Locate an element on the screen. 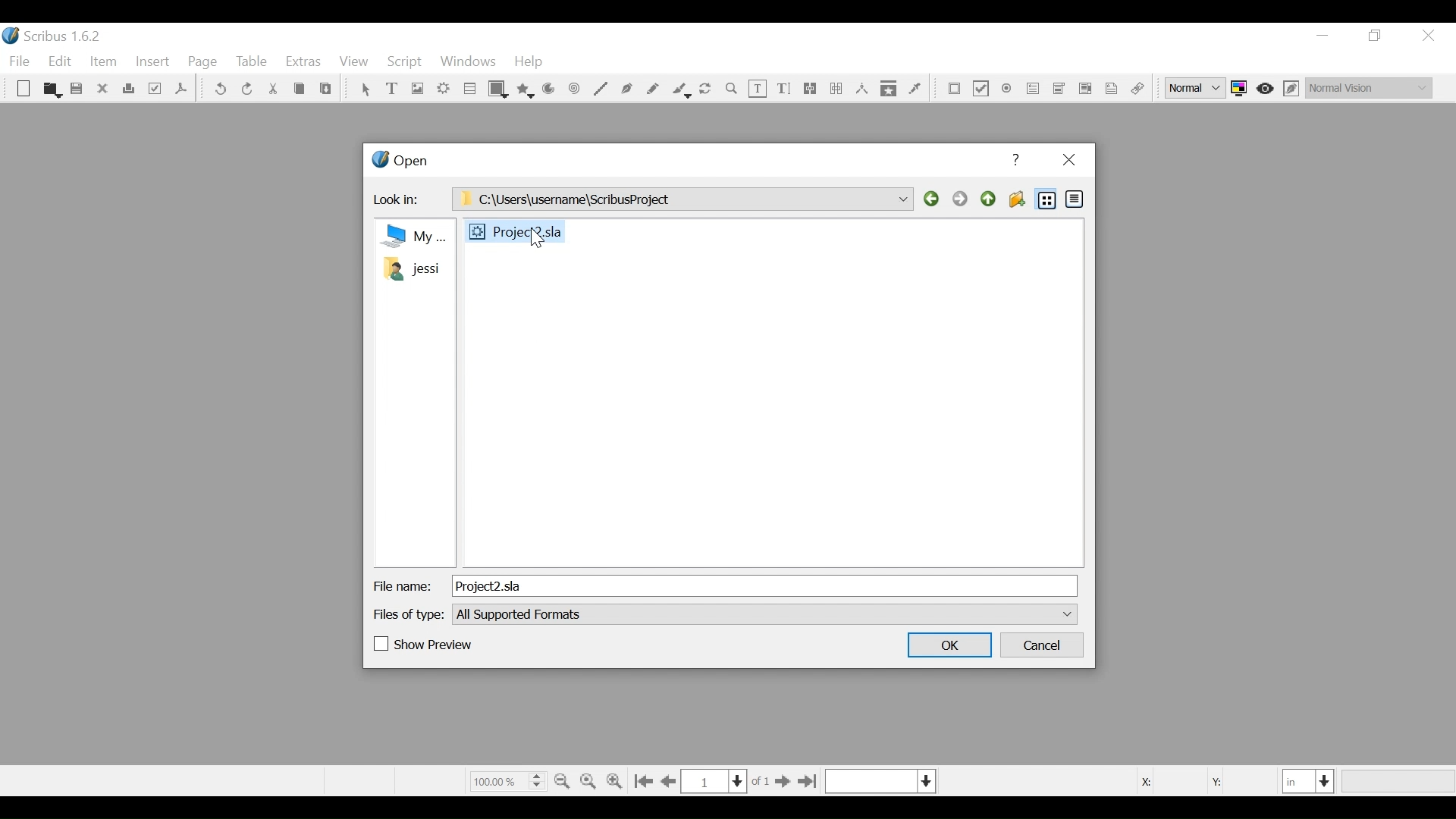 Image resolution: width=1456 pixels, height=819 pixels. Zoom to 100 is located at coordinates (590, 779).